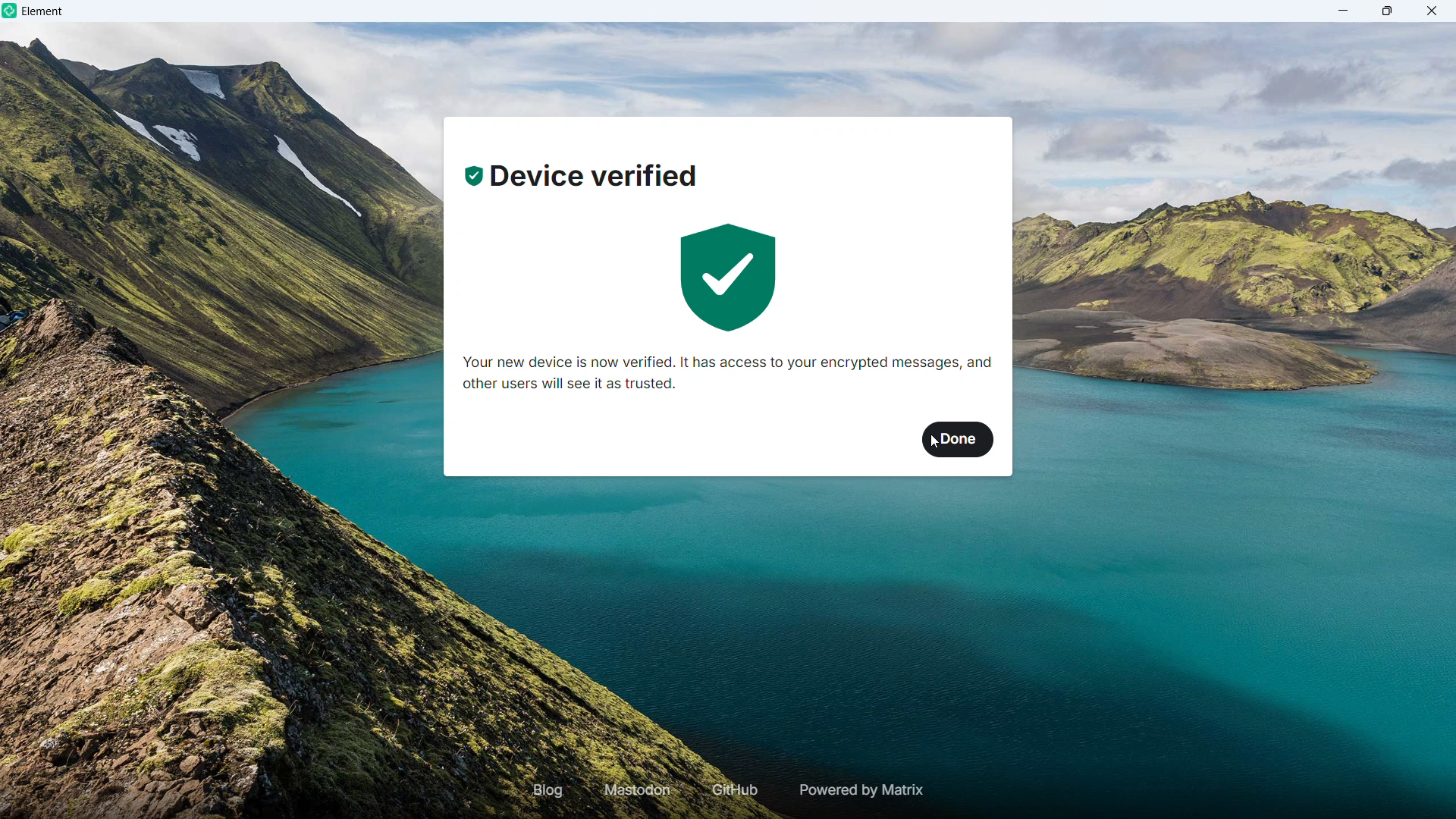 This screenshot has height=819, width=1456. I want to click on cursor movement, so click(938, 447).